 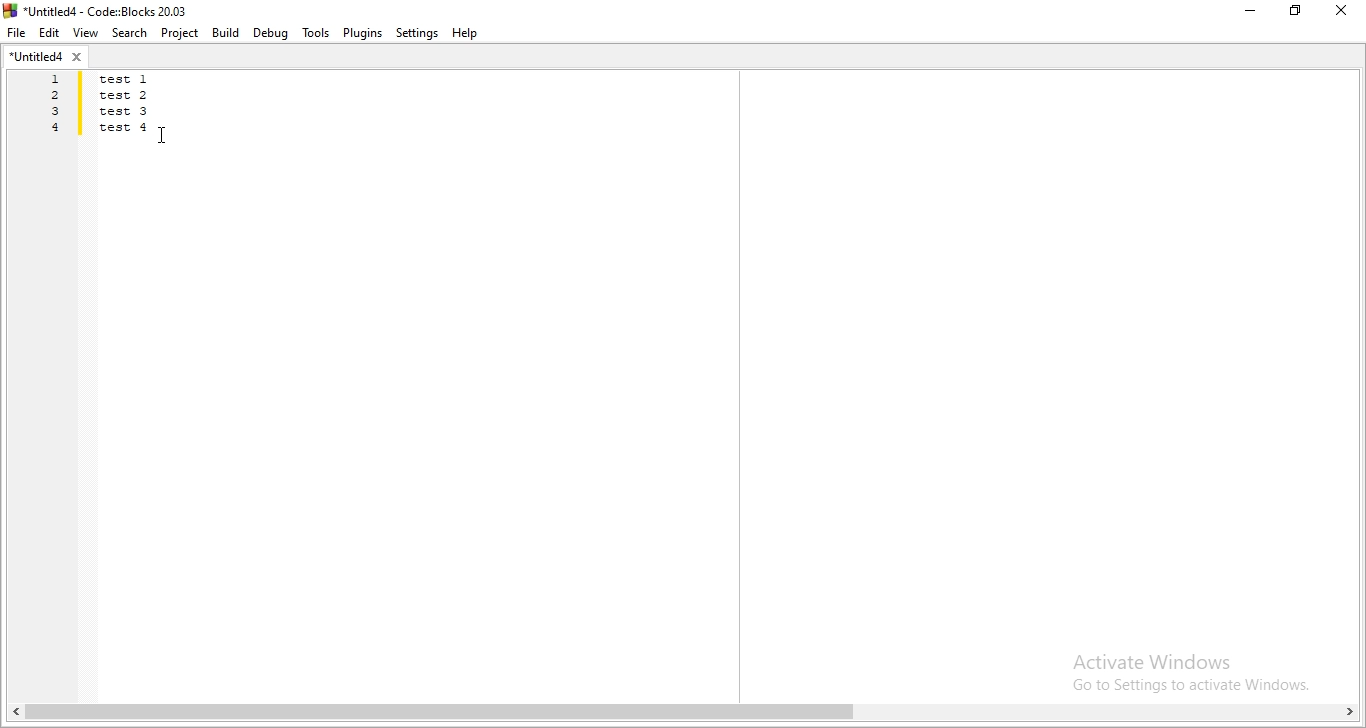 I want to click on title bar, so click(x=105, y=10).